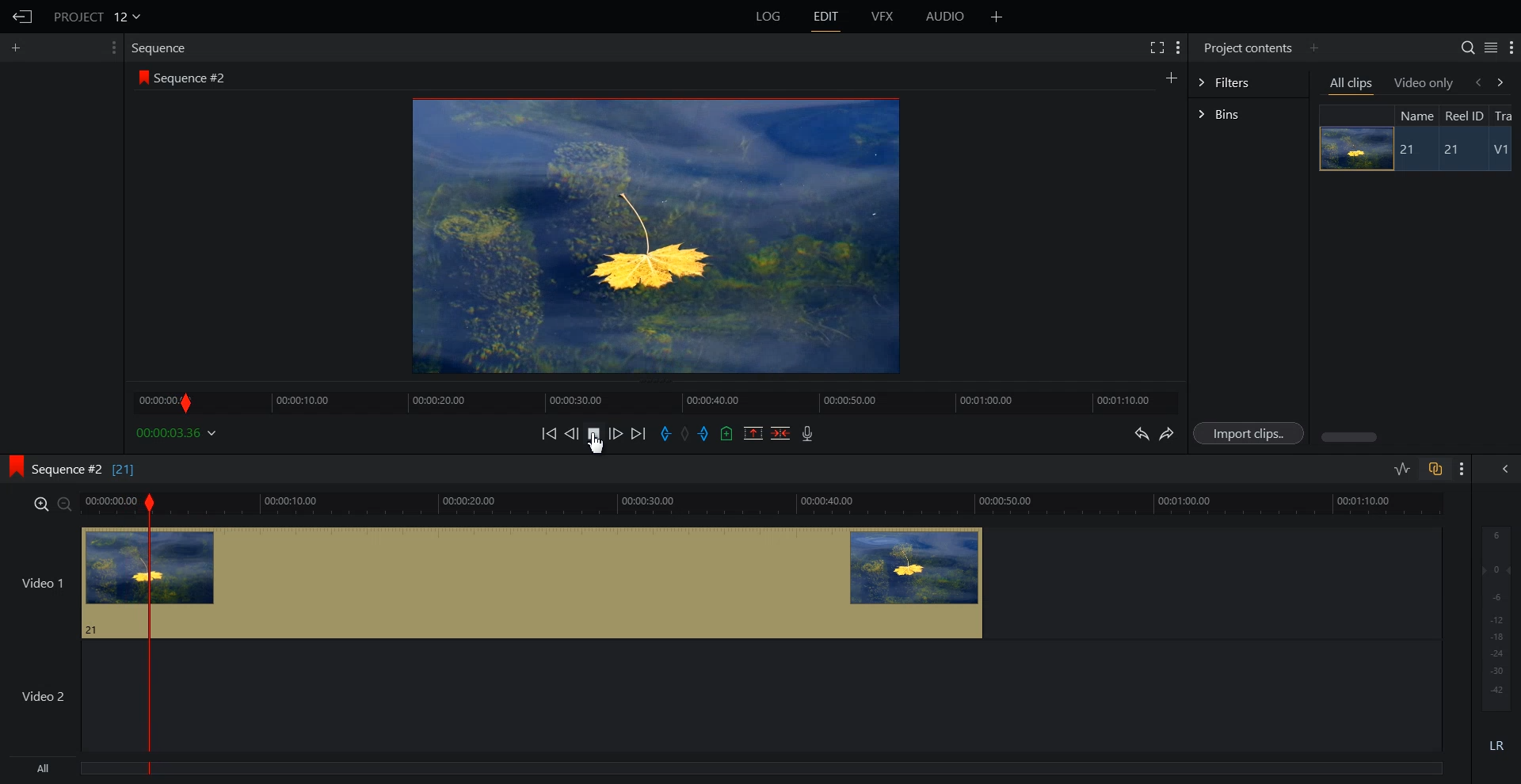  I want to click on Tra, so click(1505, 115).